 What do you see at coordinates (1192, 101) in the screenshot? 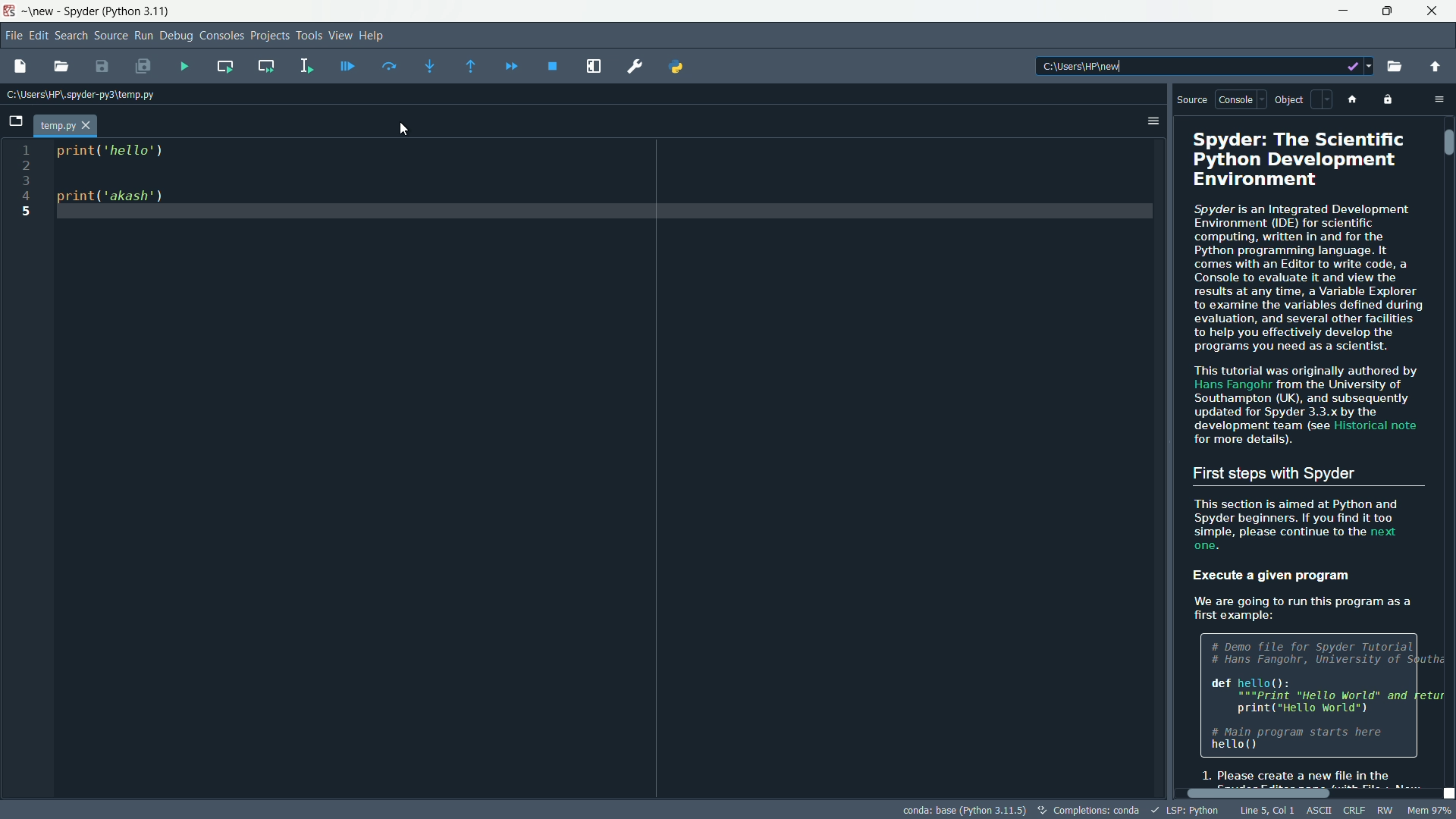
I see `source ` at bounding box center [1192, 101].